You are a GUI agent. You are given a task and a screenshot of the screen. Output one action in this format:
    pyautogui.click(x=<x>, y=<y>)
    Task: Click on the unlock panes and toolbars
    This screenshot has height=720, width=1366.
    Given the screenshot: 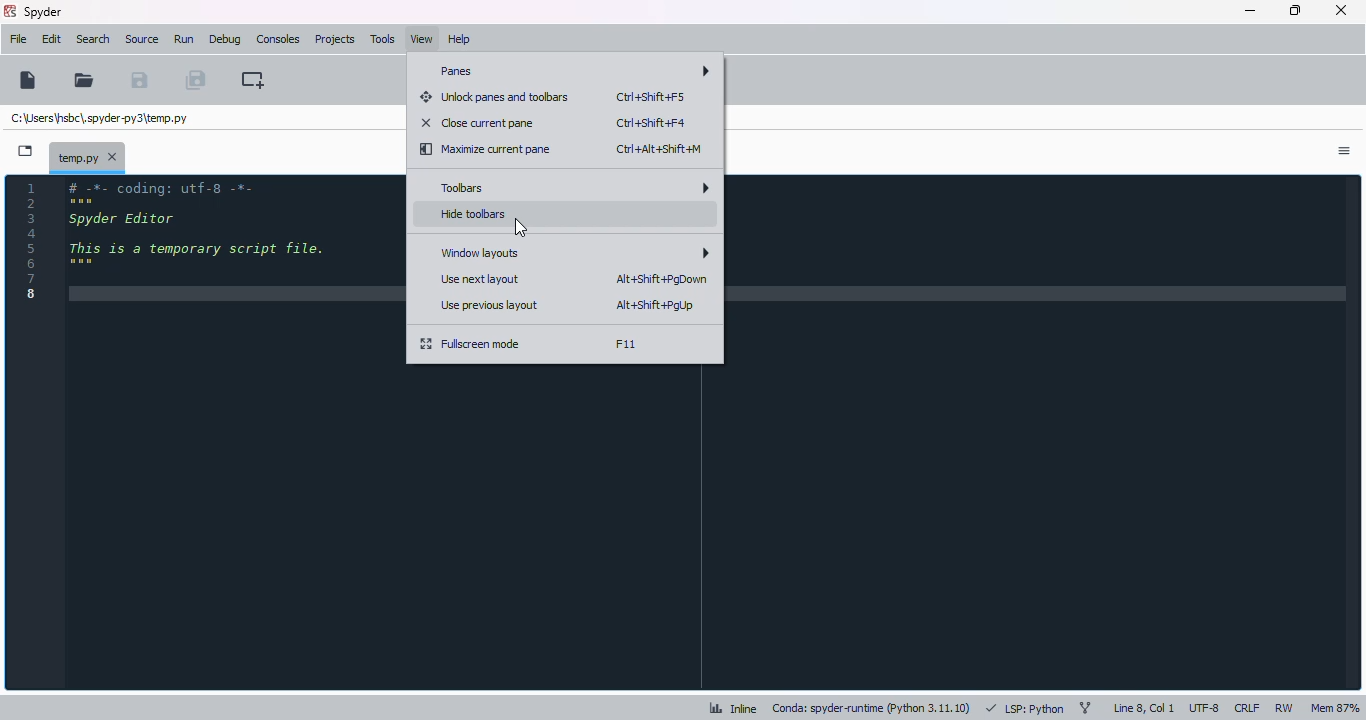 What is the action you would take?
    pyautogui.click(x=494, y=96)
    